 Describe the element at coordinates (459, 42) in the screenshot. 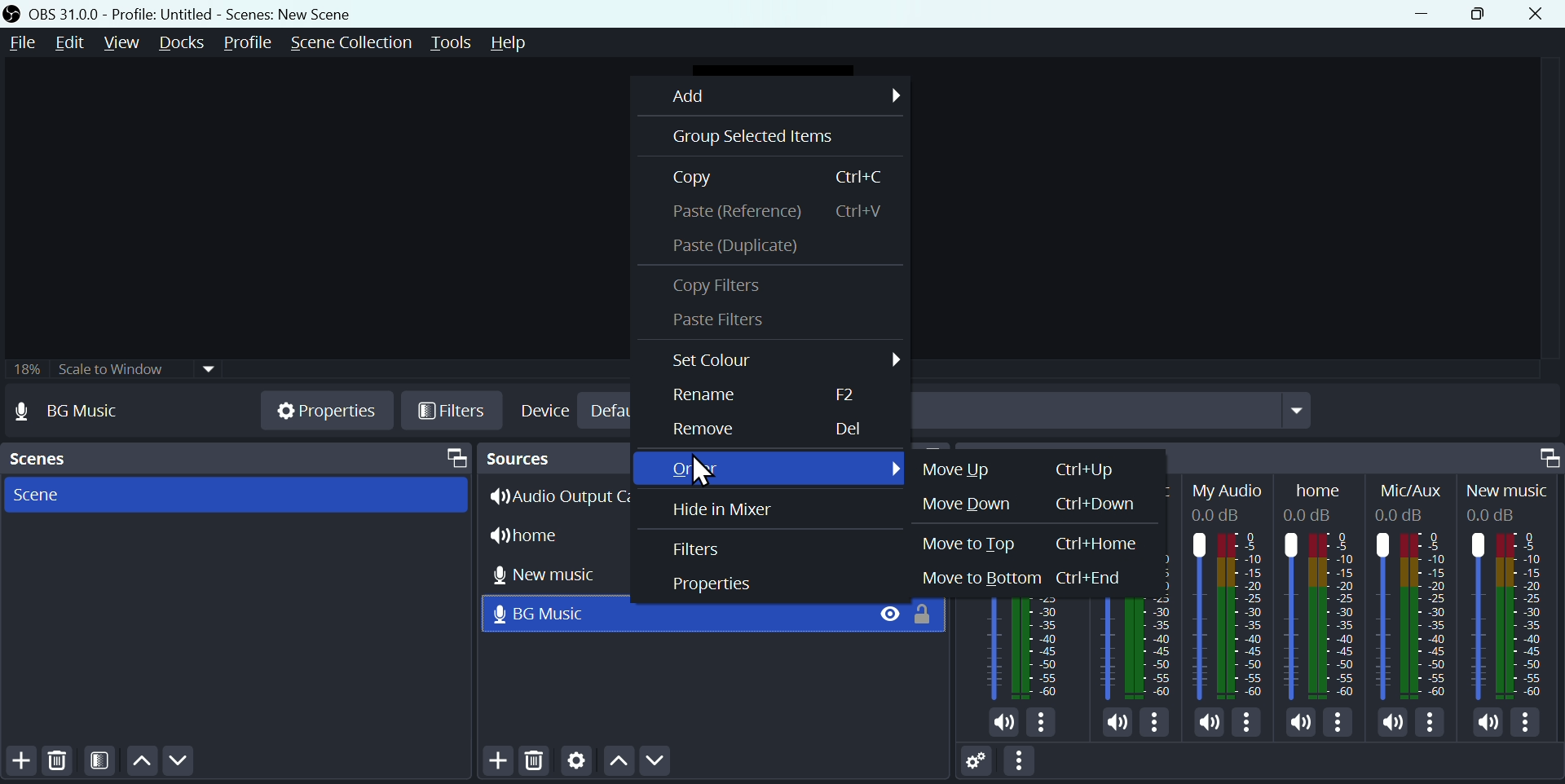

I see `Tools` at that location.